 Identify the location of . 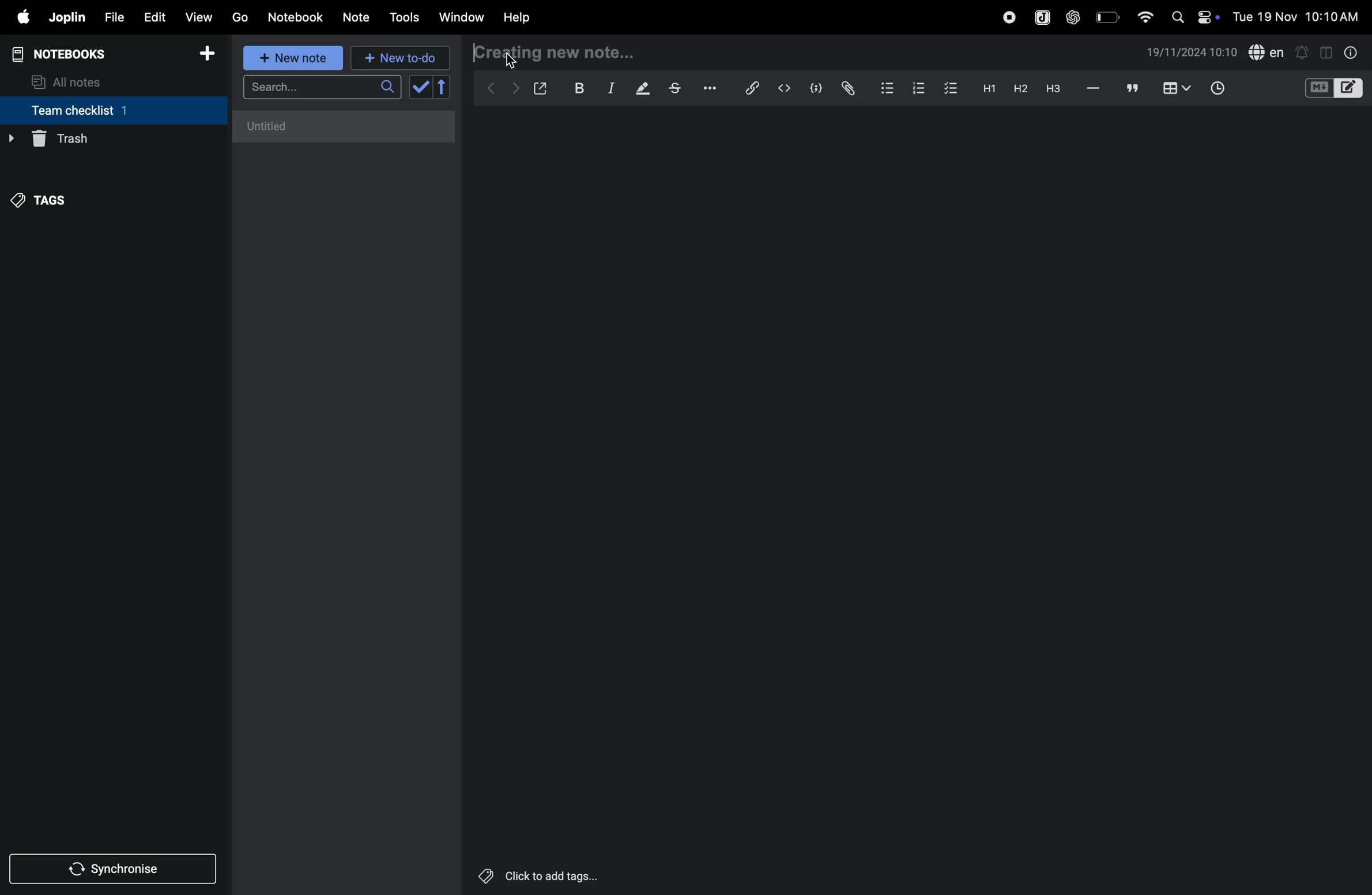
(553, 876).